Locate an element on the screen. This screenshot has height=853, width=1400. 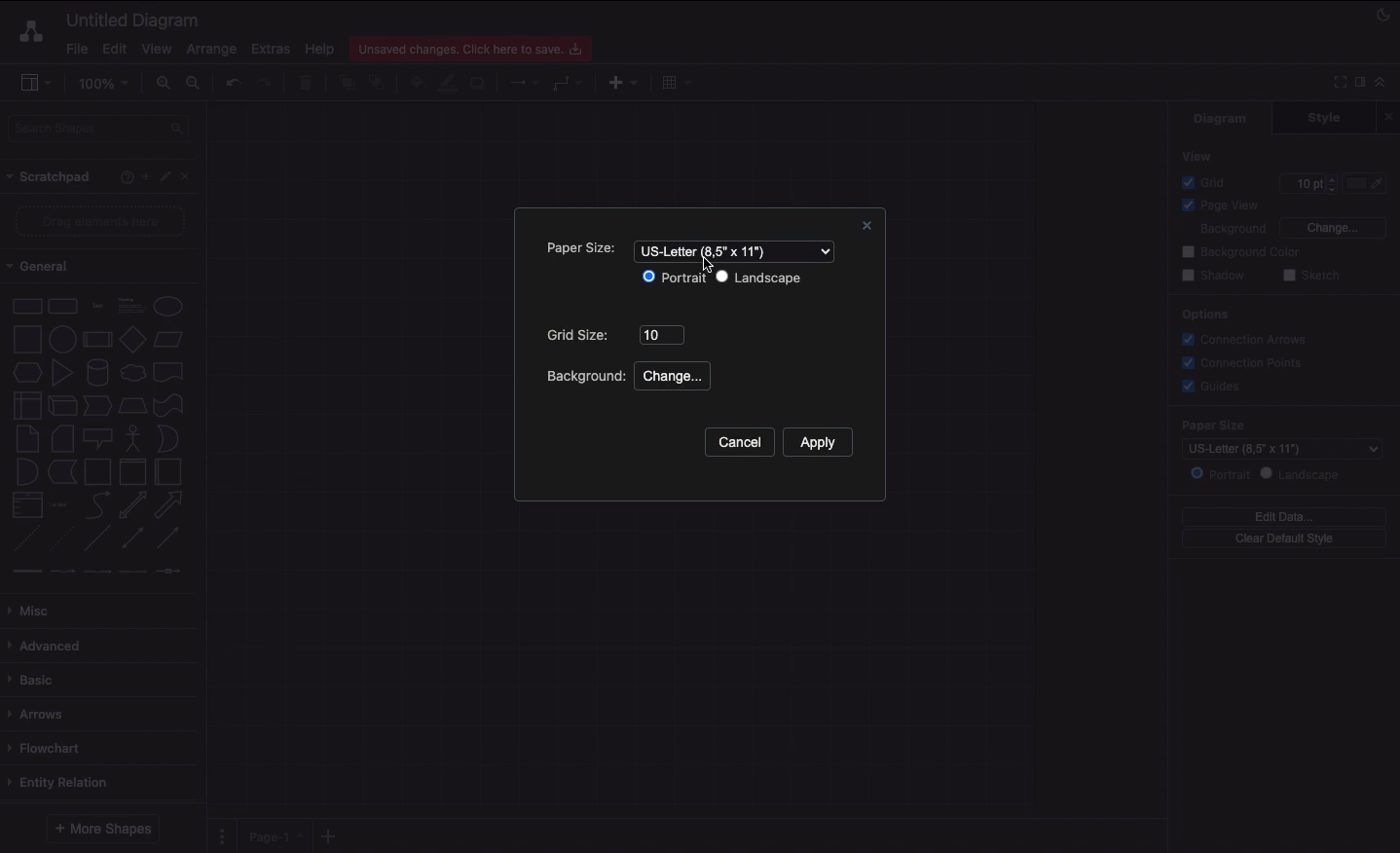
Paper size is located at coordinates (579, 250).